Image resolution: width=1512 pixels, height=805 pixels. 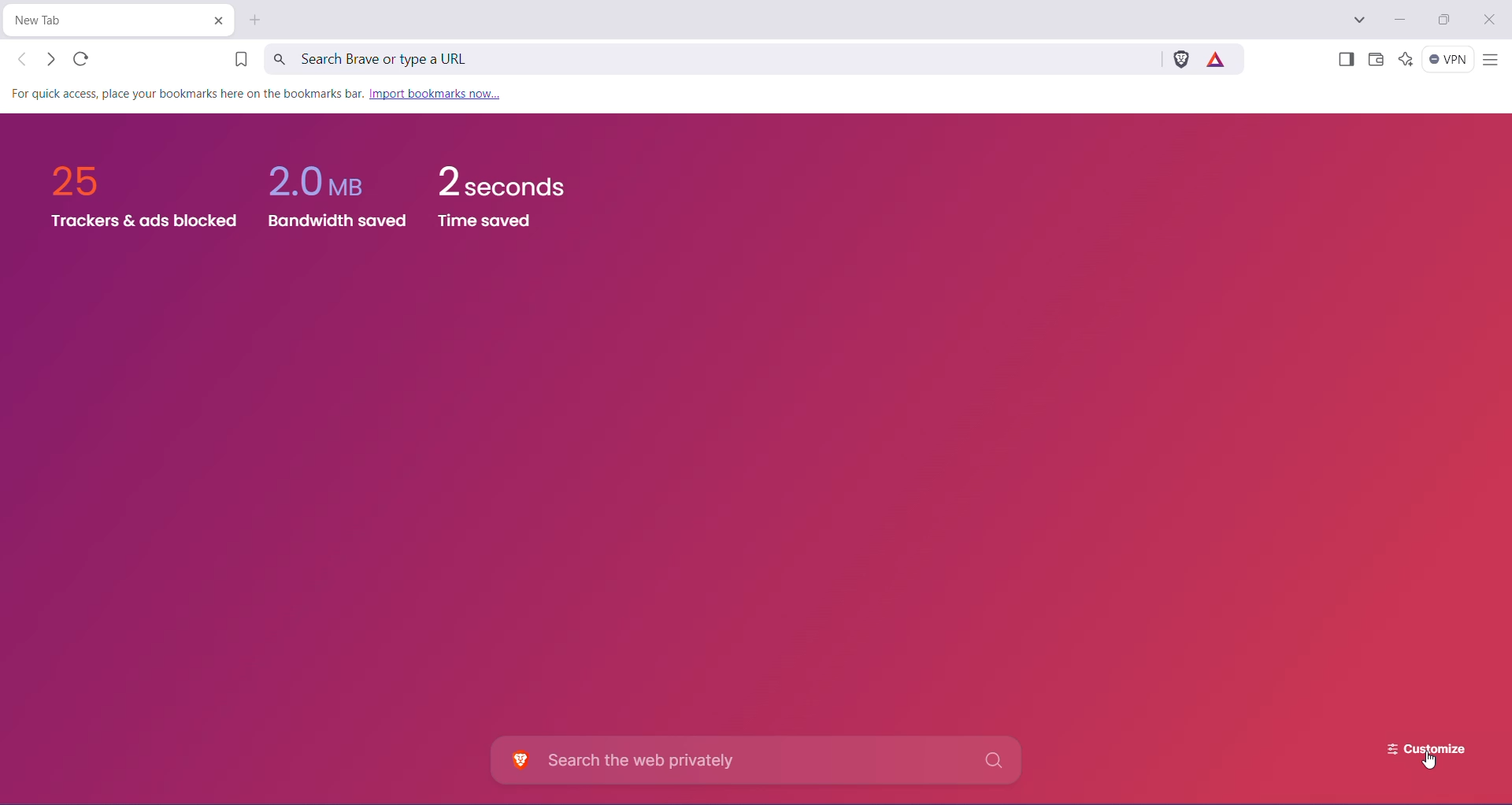 I want to click on Leo AI, so click(x=1405, y=59).